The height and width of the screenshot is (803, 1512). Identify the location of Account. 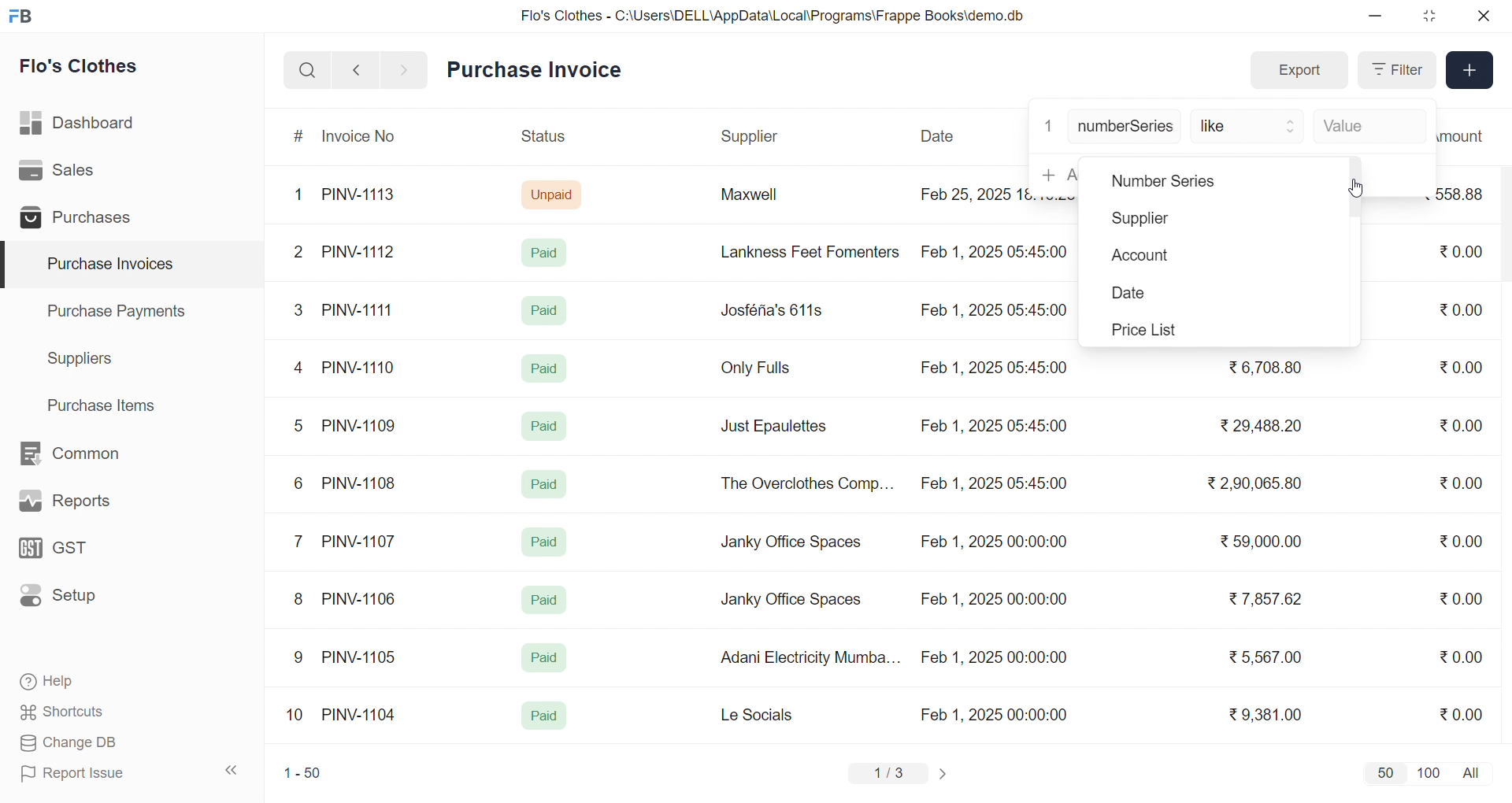
(1169, 257).